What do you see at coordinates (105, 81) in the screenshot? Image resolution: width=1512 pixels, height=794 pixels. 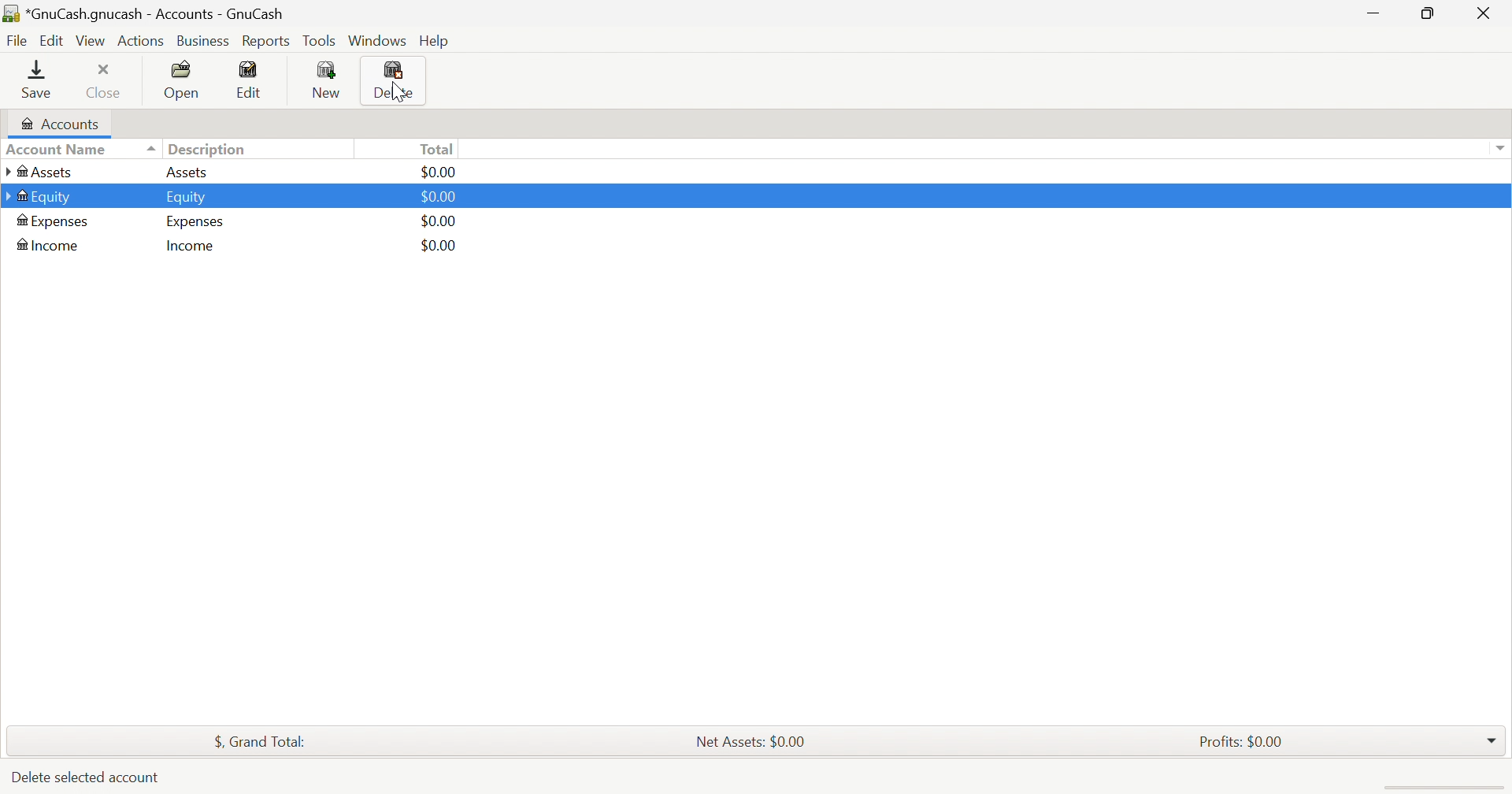 I see `Close` at bounding box center [105, 81].